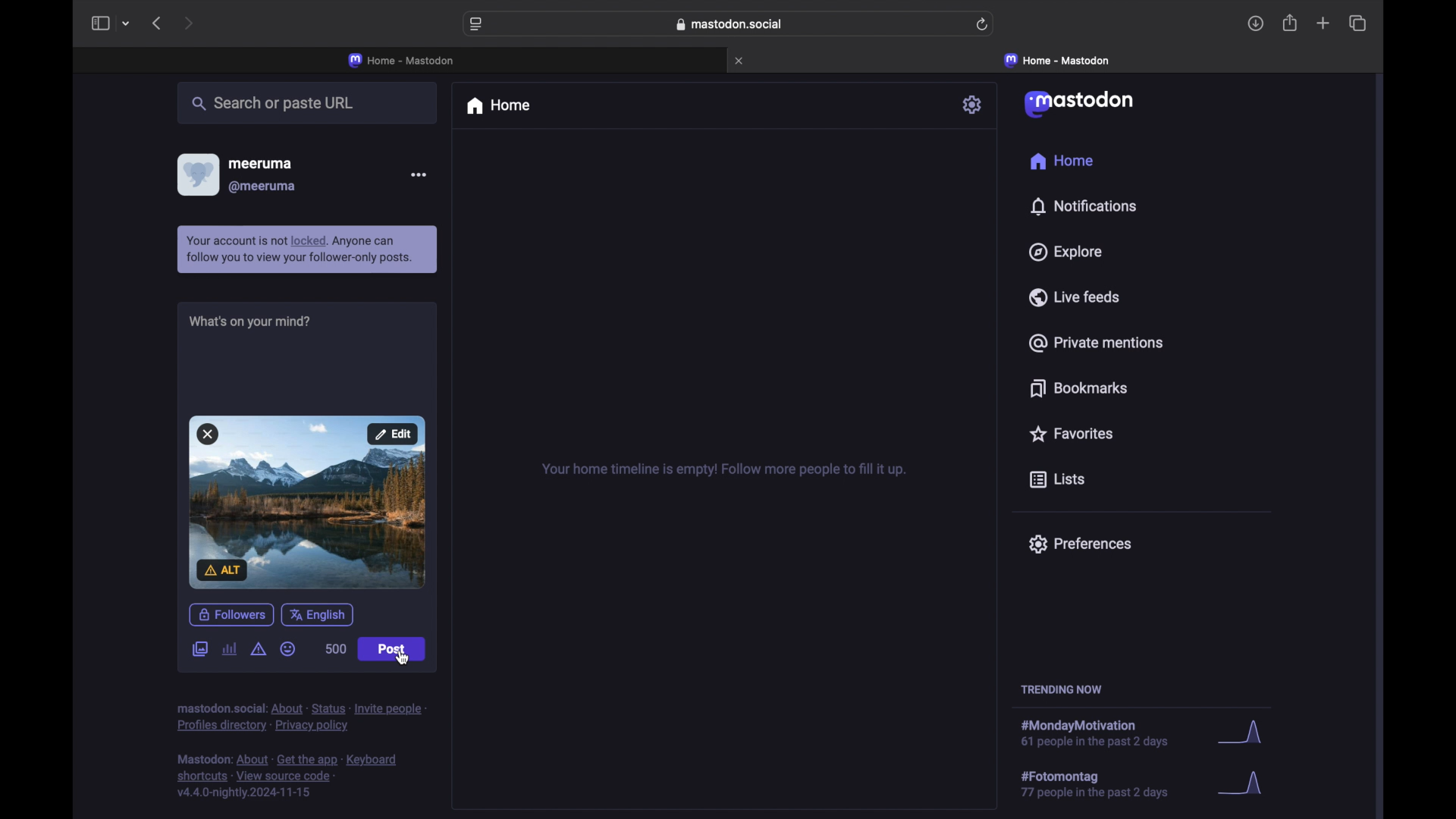  I want to click on @meeruma, so click(264, 187).